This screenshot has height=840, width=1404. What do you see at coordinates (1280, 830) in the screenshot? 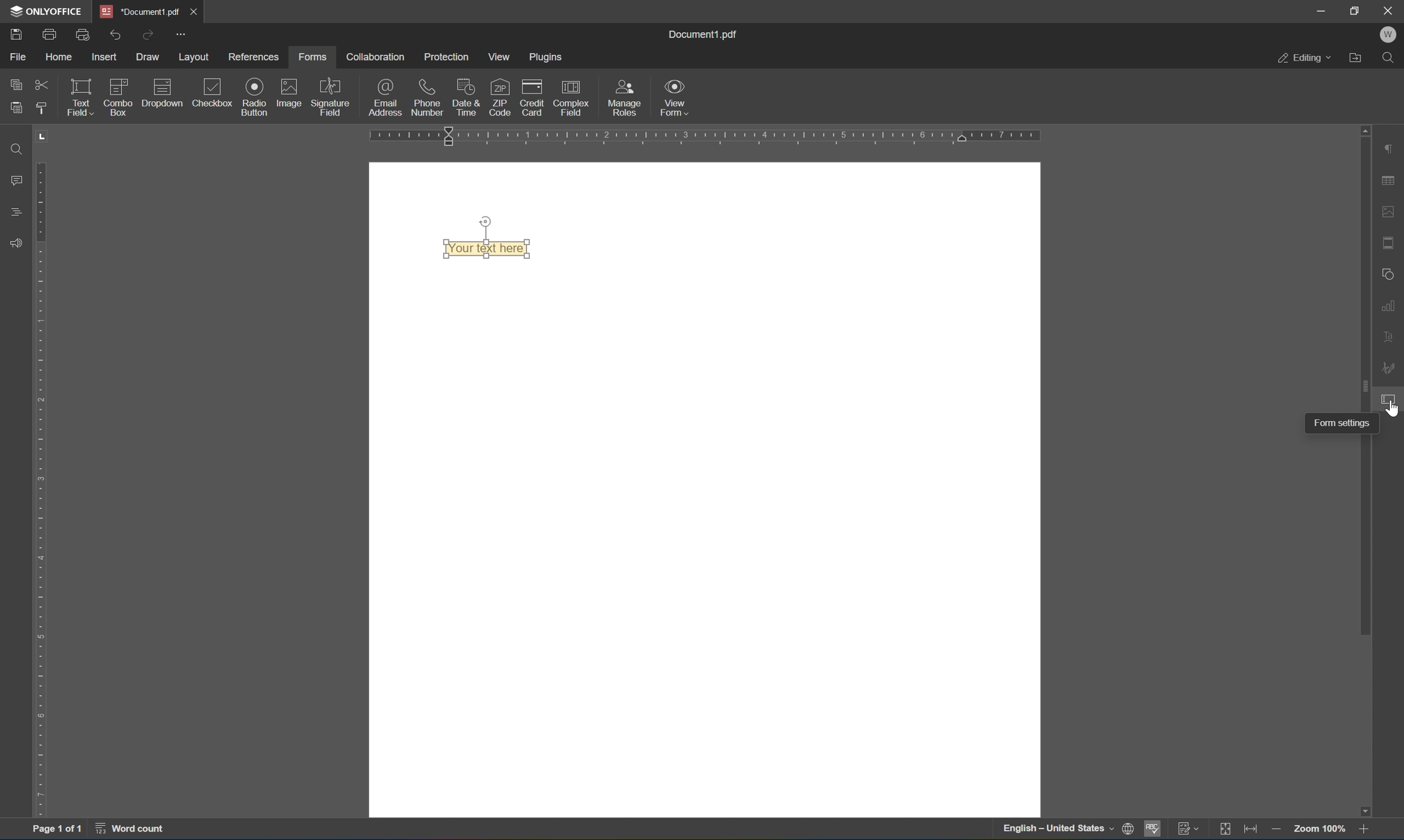
I see `Zoom out` at bounding box center [1280, 830].